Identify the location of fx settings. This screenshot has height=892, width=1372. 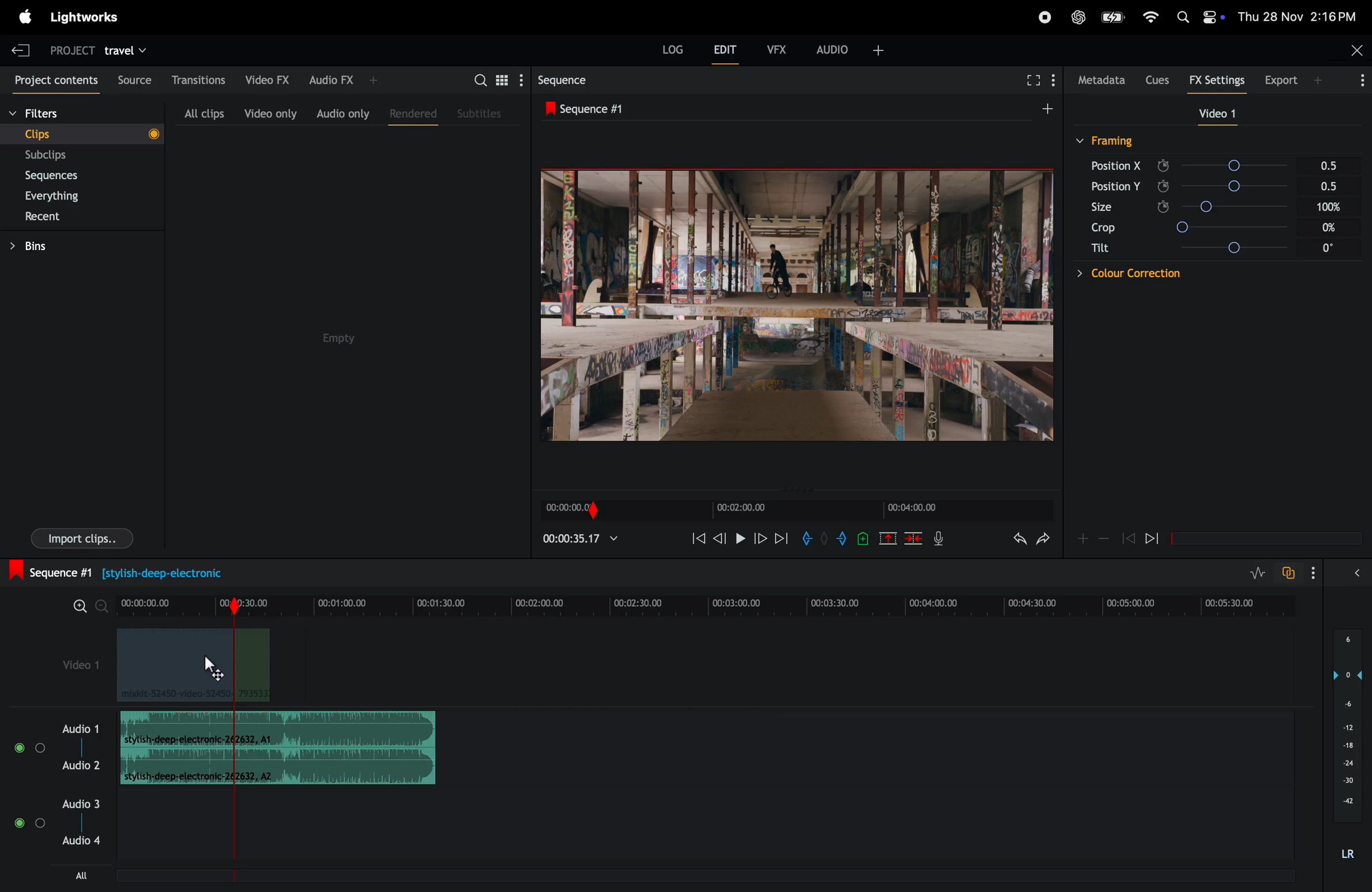
(1220, 80).